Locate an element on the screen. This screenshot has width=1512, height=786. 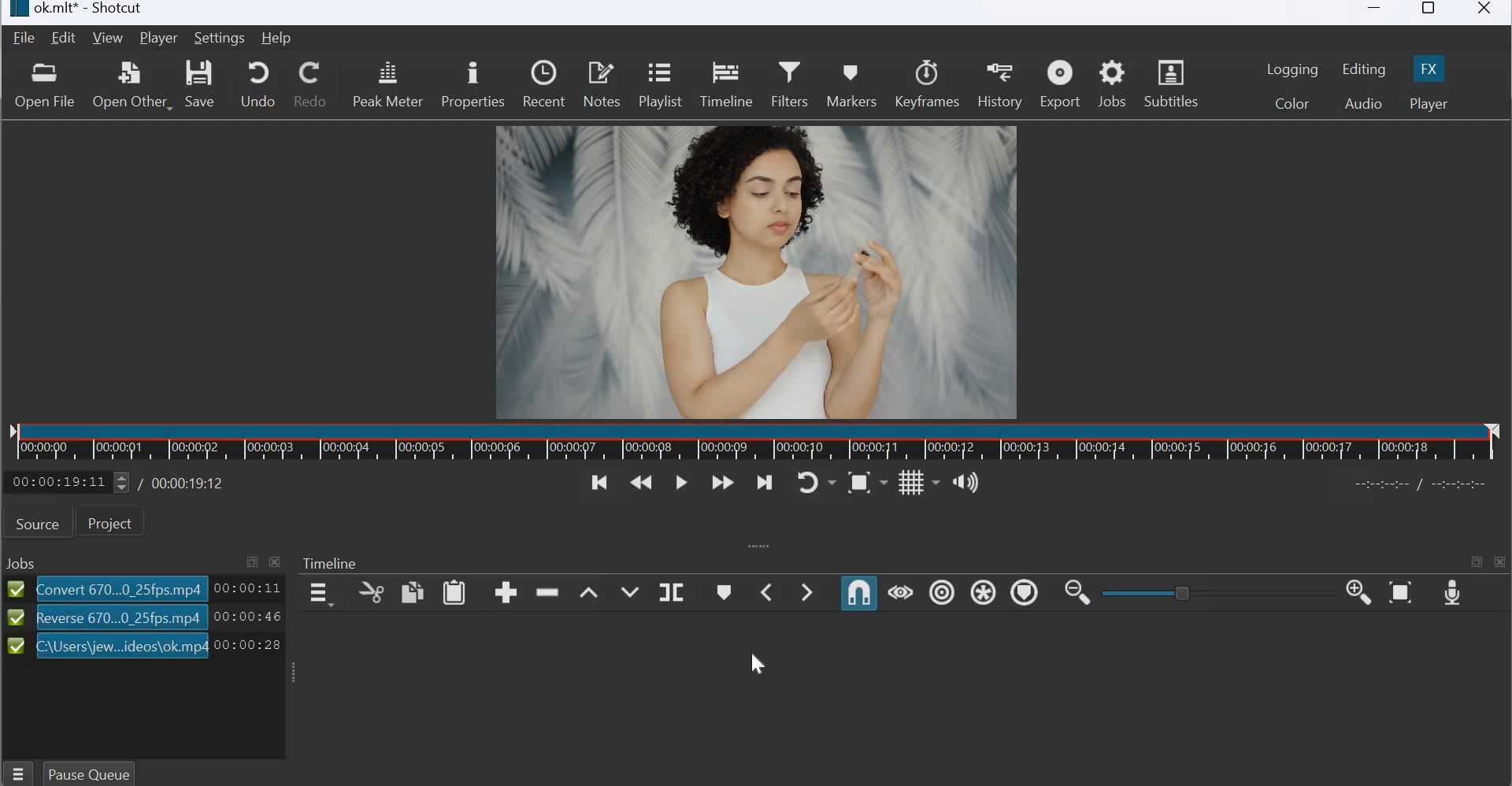
Toggle play or pause is located at coordinates (681, 484).